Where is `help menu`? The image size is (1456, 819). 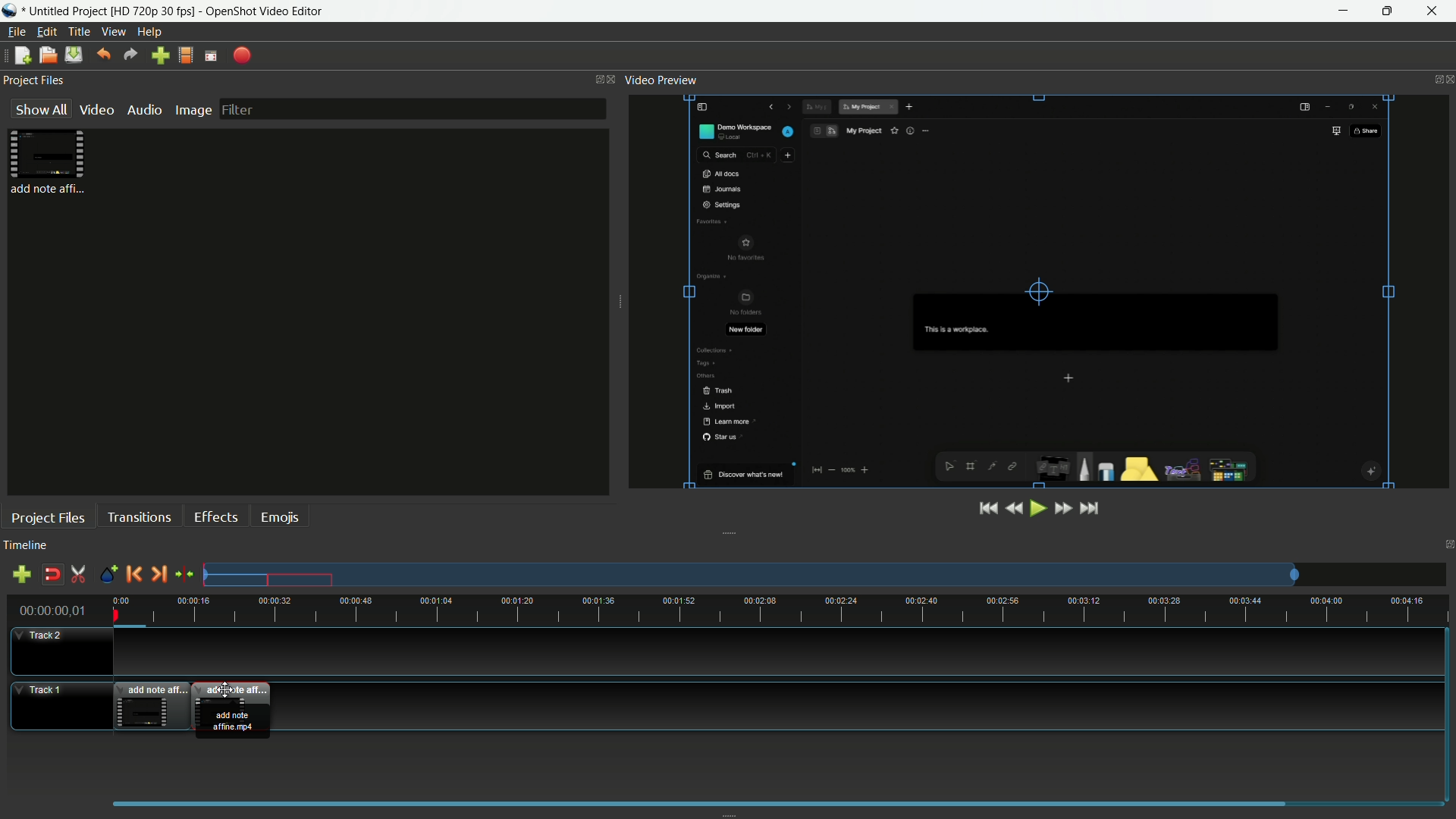
help menu is located at coordinates (149, 33).